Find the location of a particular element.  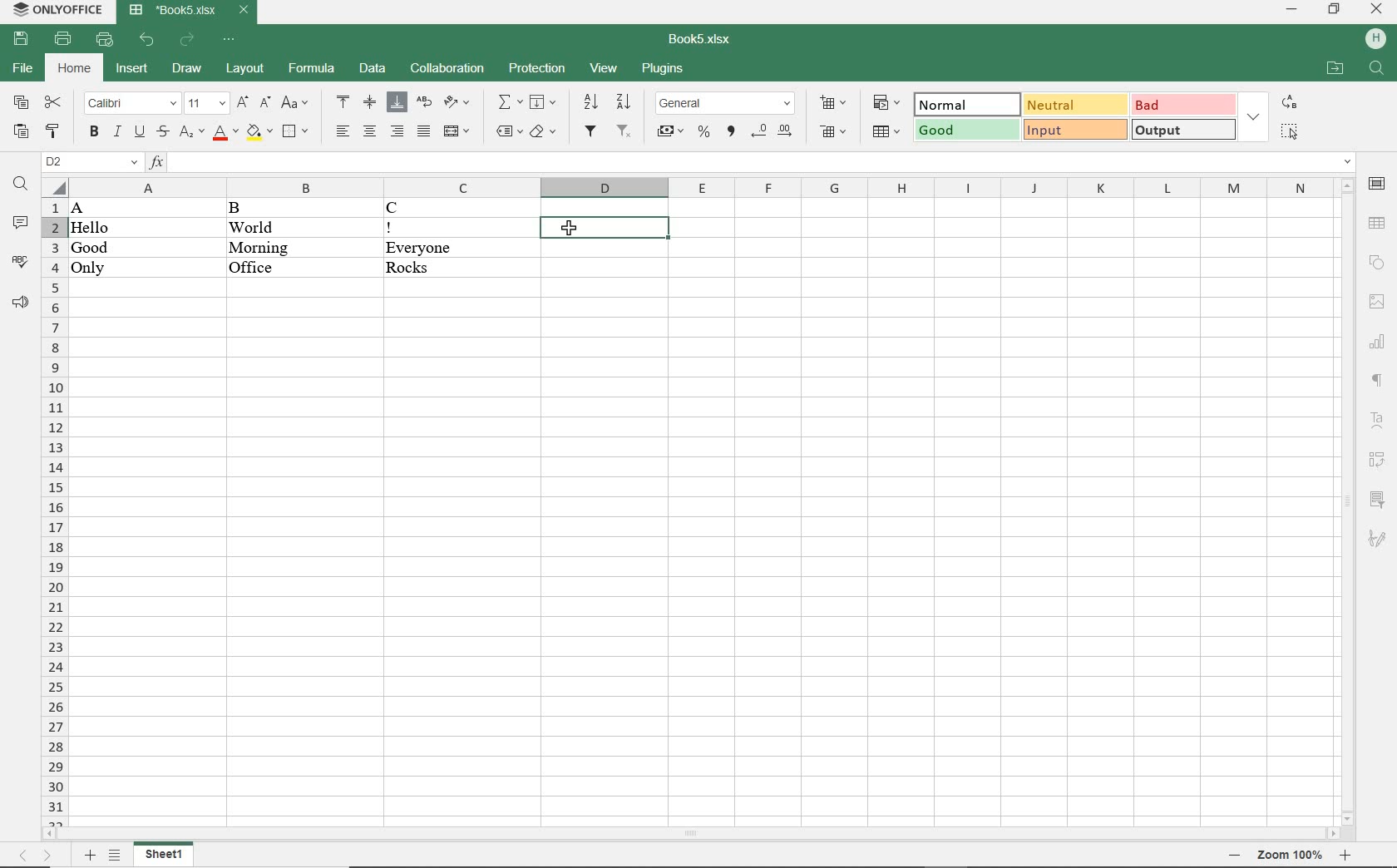

SUBSCRIPT/SUPERSCRIPT is located at coordinates (189, 133).